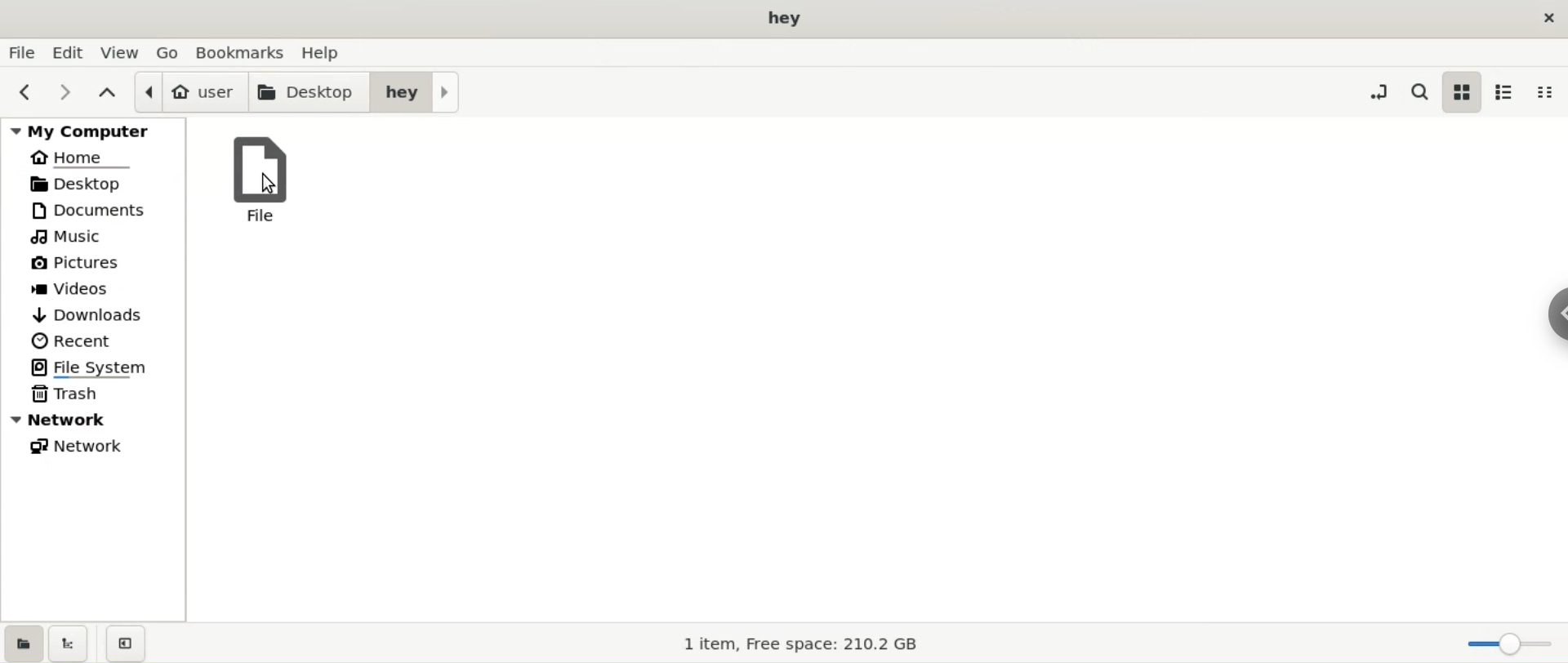 This screenshot has height=663, width=1568. What do you see at coordinates (326, 51) in the screenshot?
I see `help` at bounding box center [326, 51].